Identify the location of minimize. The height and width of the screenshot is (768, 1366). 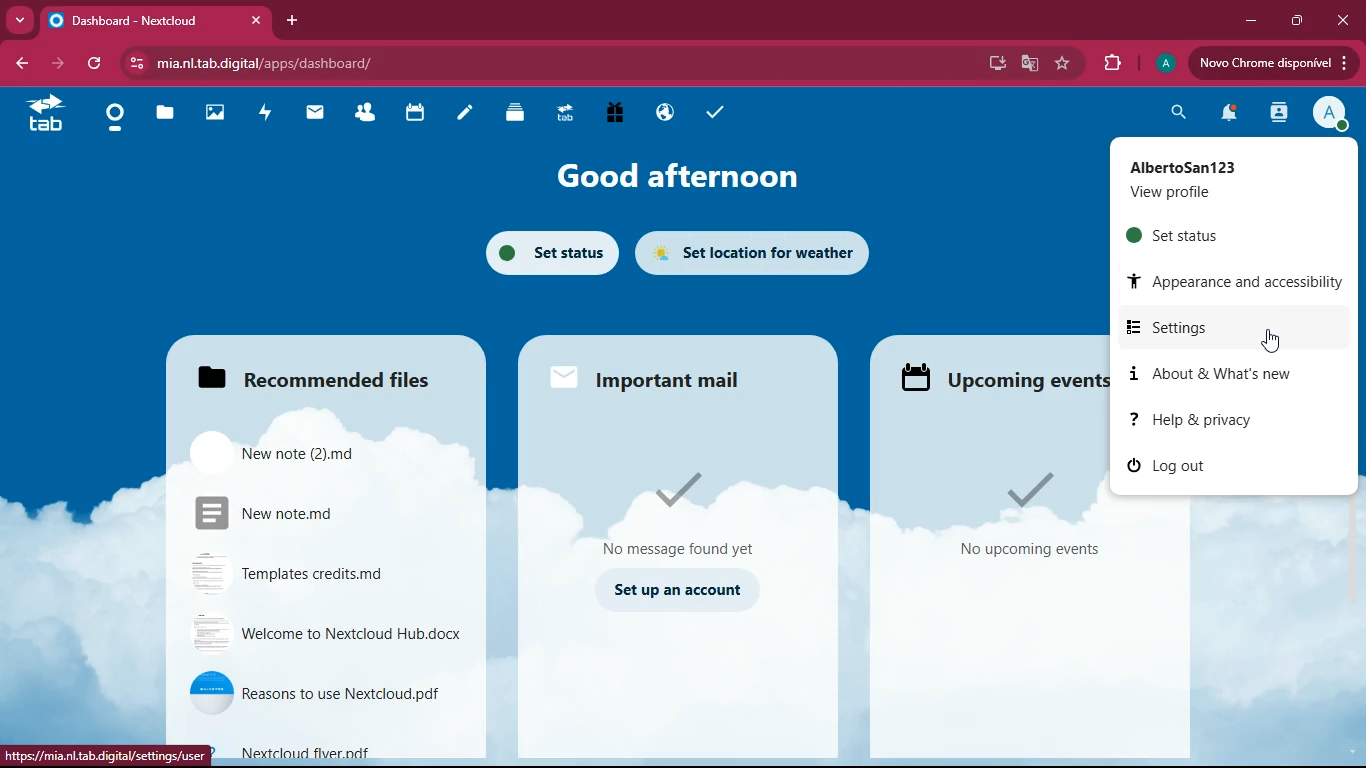
(1256, 22).